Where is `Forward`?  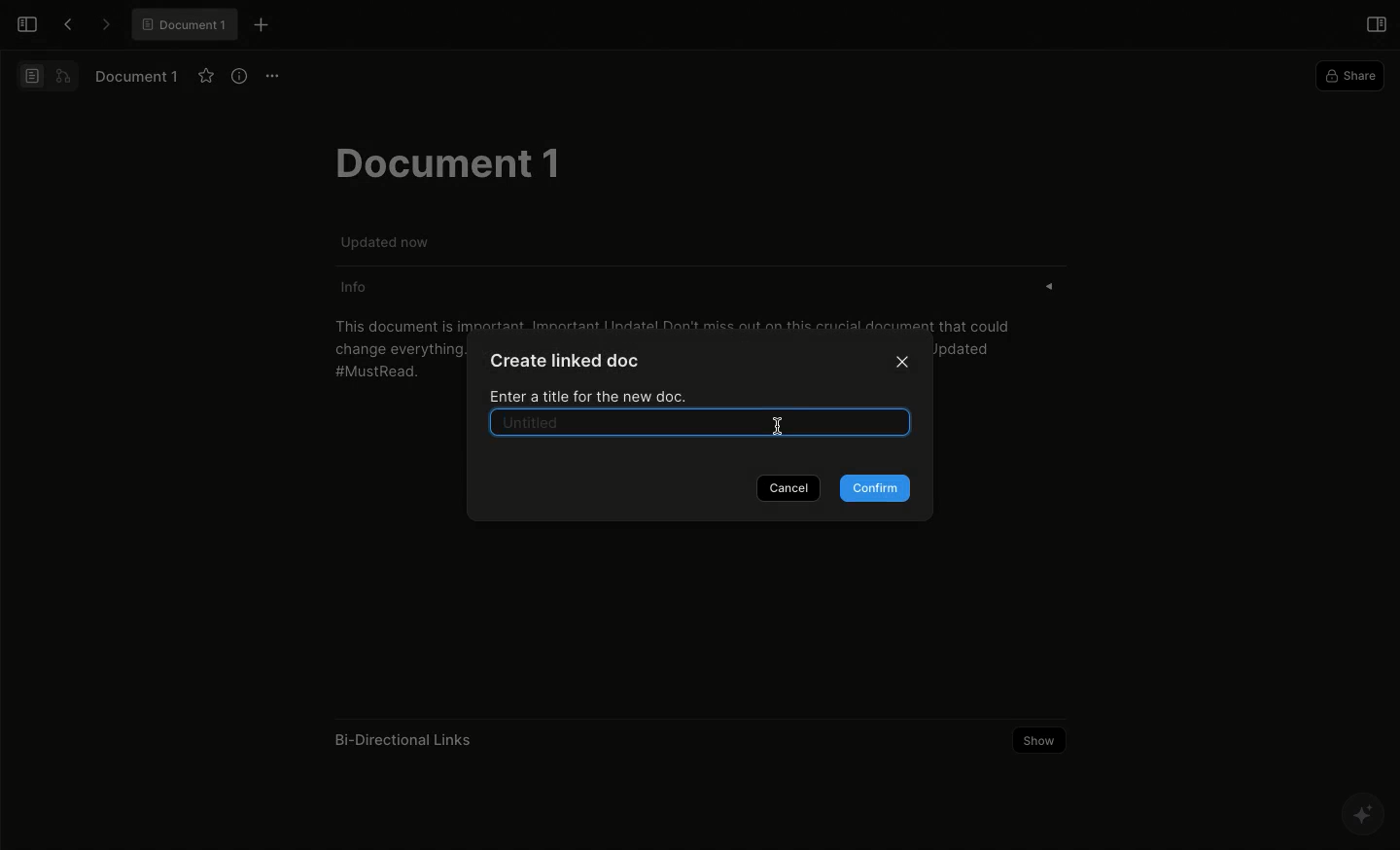
Forward is located at coordinates (104, 24).